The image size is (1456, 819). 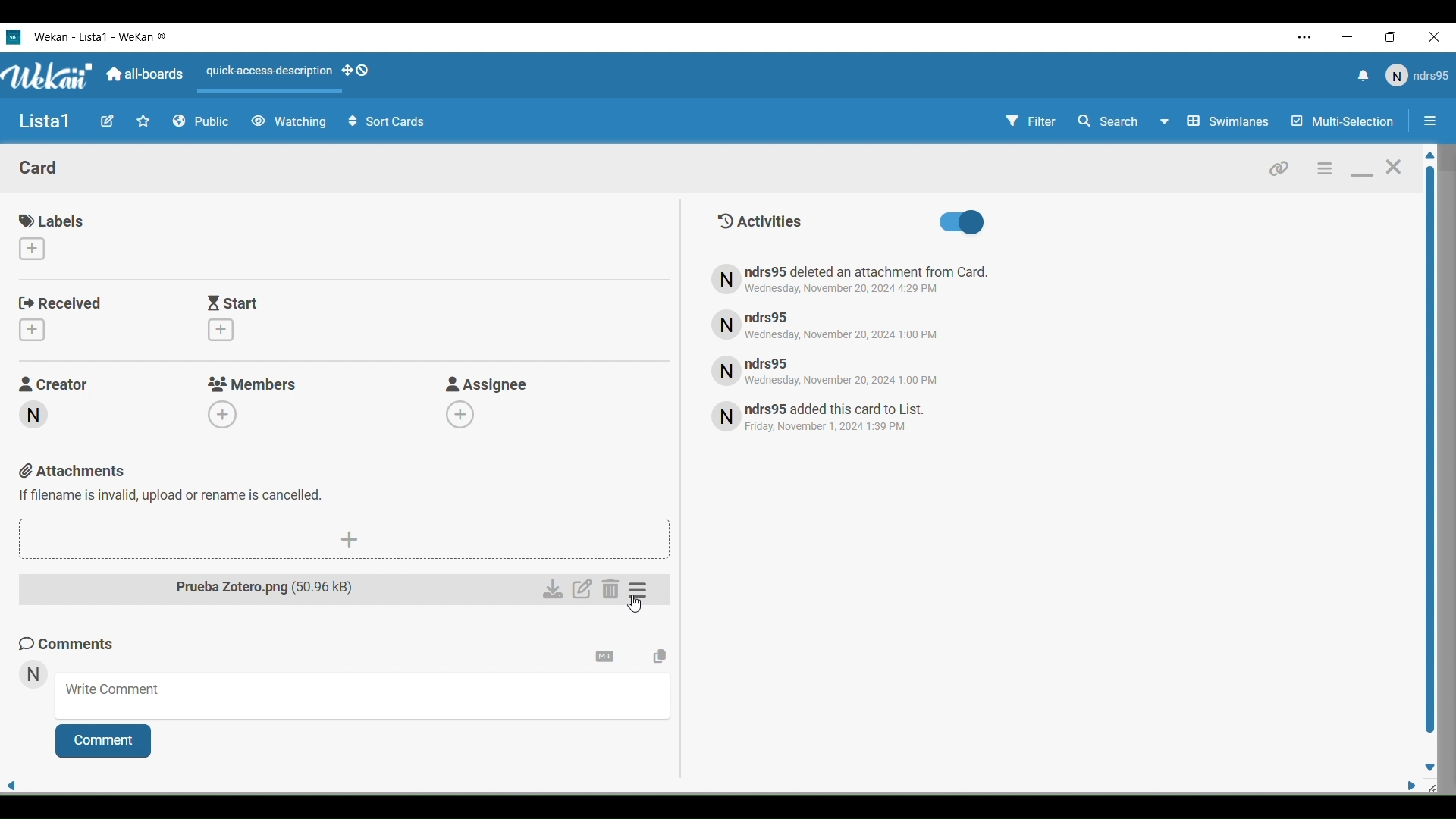 What do you see at coordinates (1394, 171) in the screenshot?
I see `Close` at bounding box center [1394, 171].